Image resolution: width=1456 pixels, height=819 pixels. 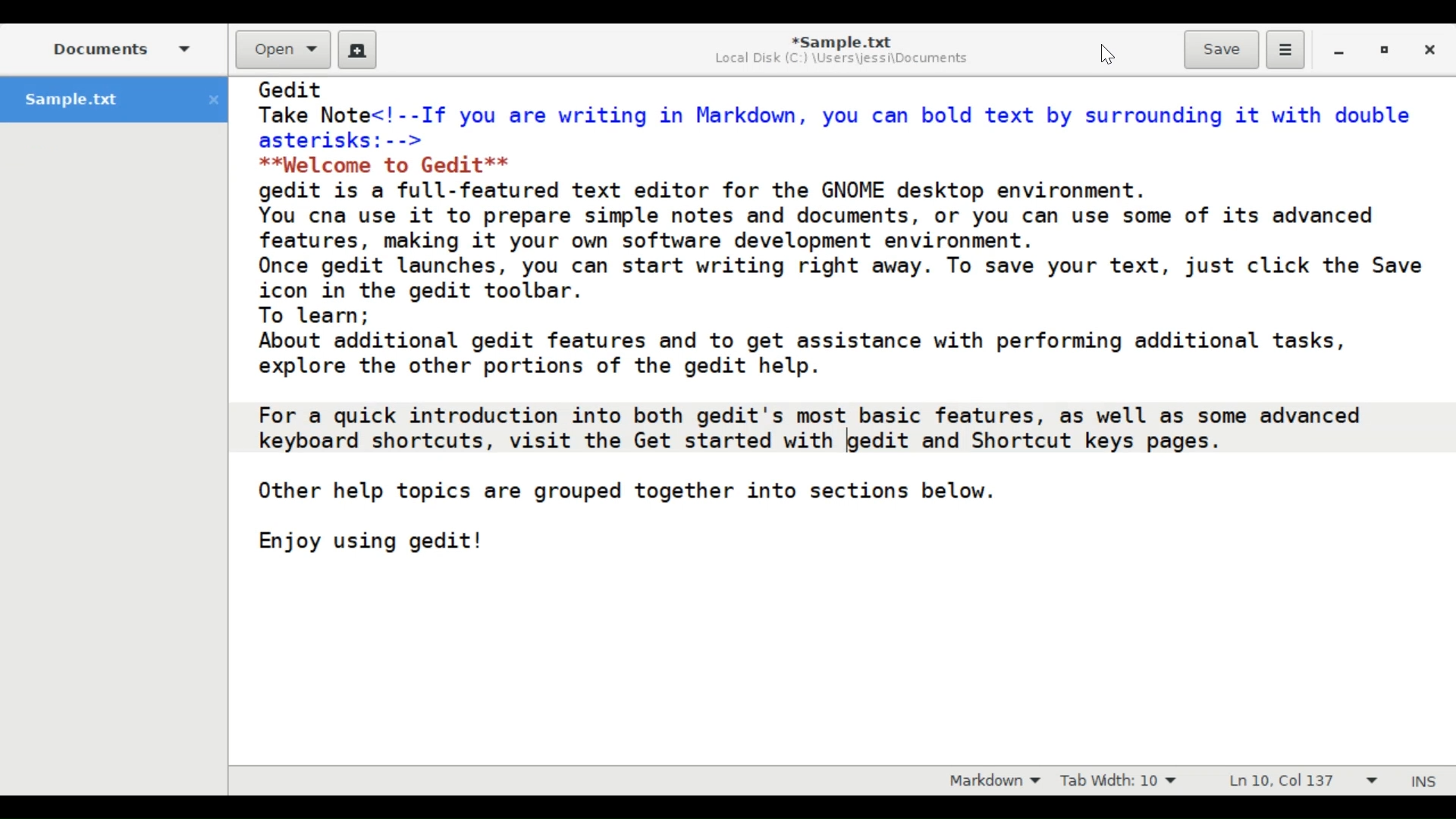 I want to click on Open, so click(x=284, y=49).